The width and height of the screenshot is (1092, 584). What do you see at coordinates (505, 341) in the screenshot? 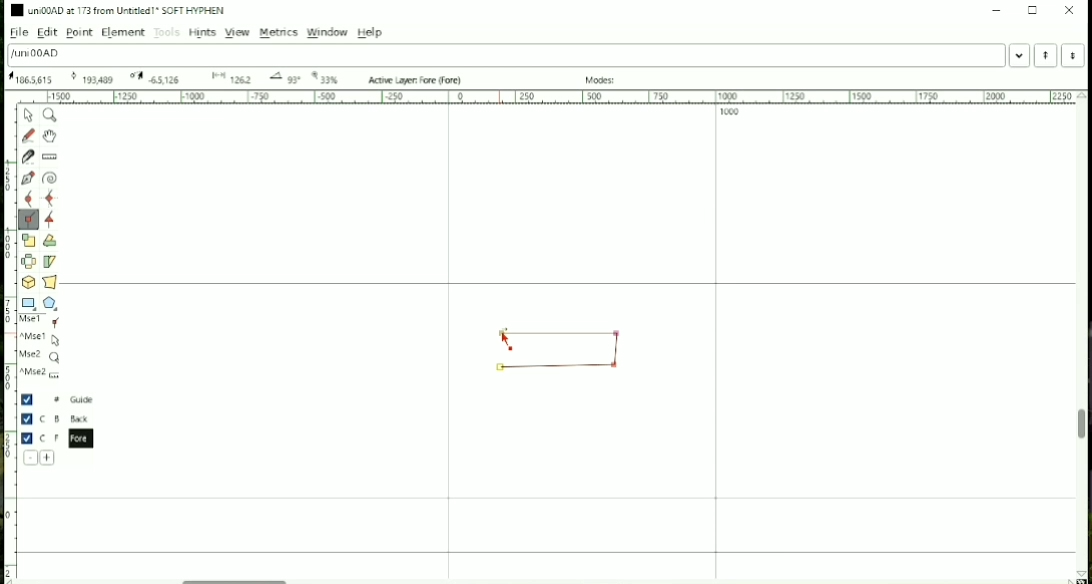
I see `Cursor` at bounding box center [505, 341].